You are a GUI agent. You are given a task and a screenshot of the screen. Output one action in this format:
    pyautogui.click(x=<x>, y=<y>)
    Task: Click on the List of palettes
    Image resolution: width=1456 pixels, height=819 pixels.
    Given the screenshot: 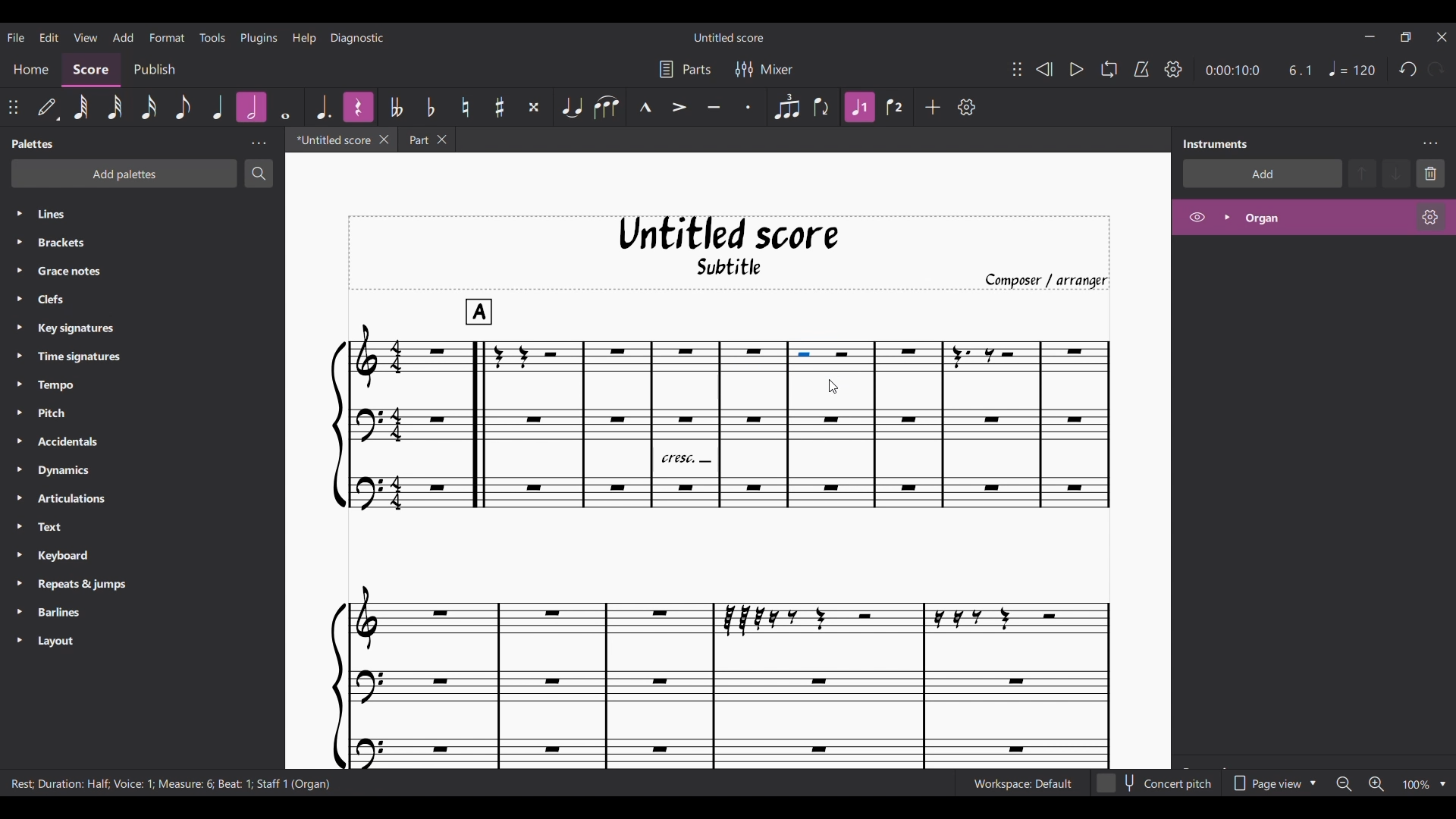 What is the action you would take?
    pyautogui.click(x=158, y=428)
    